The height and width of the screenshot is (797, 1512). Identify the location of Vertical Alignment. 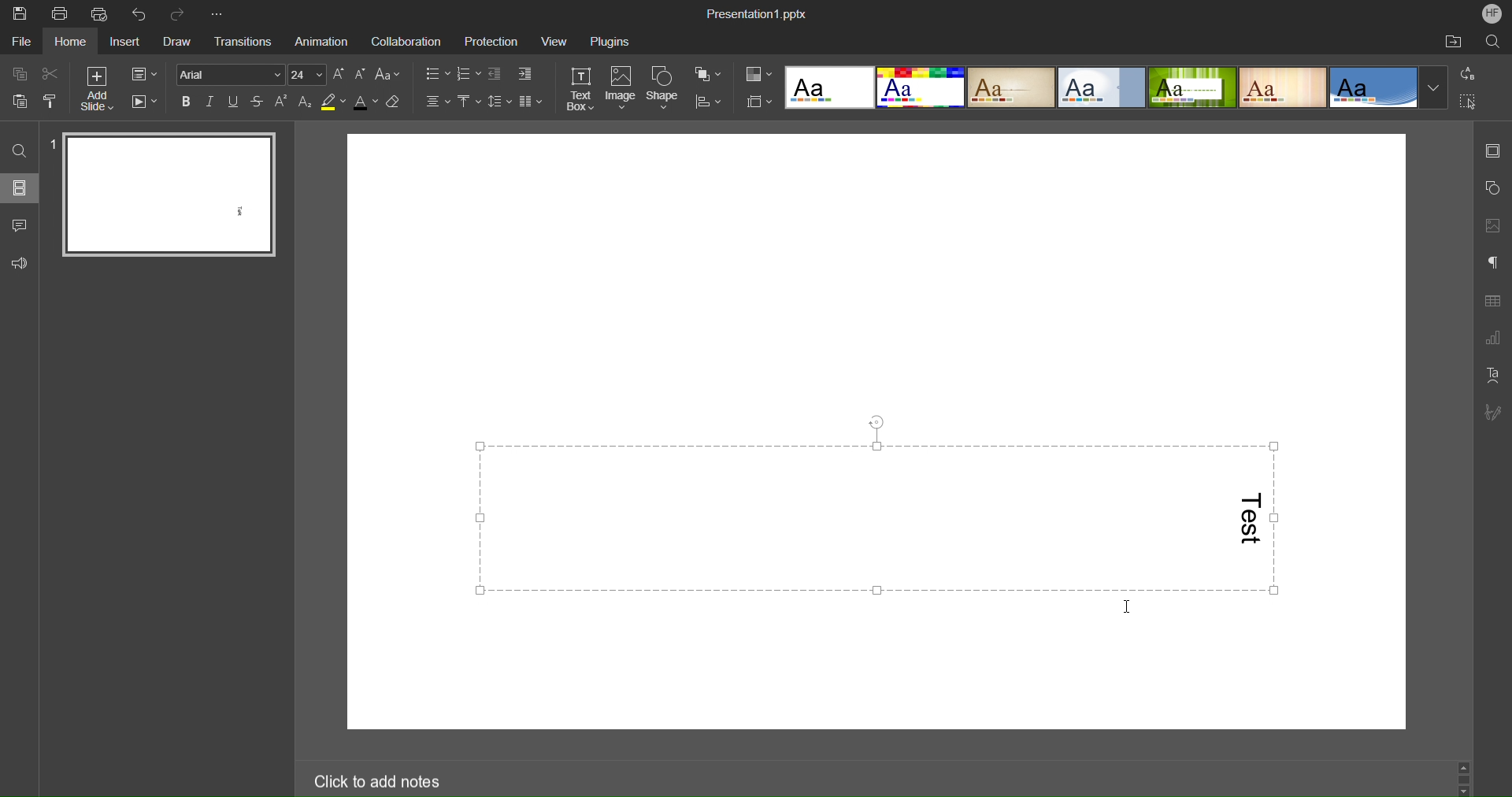
(469, 103).